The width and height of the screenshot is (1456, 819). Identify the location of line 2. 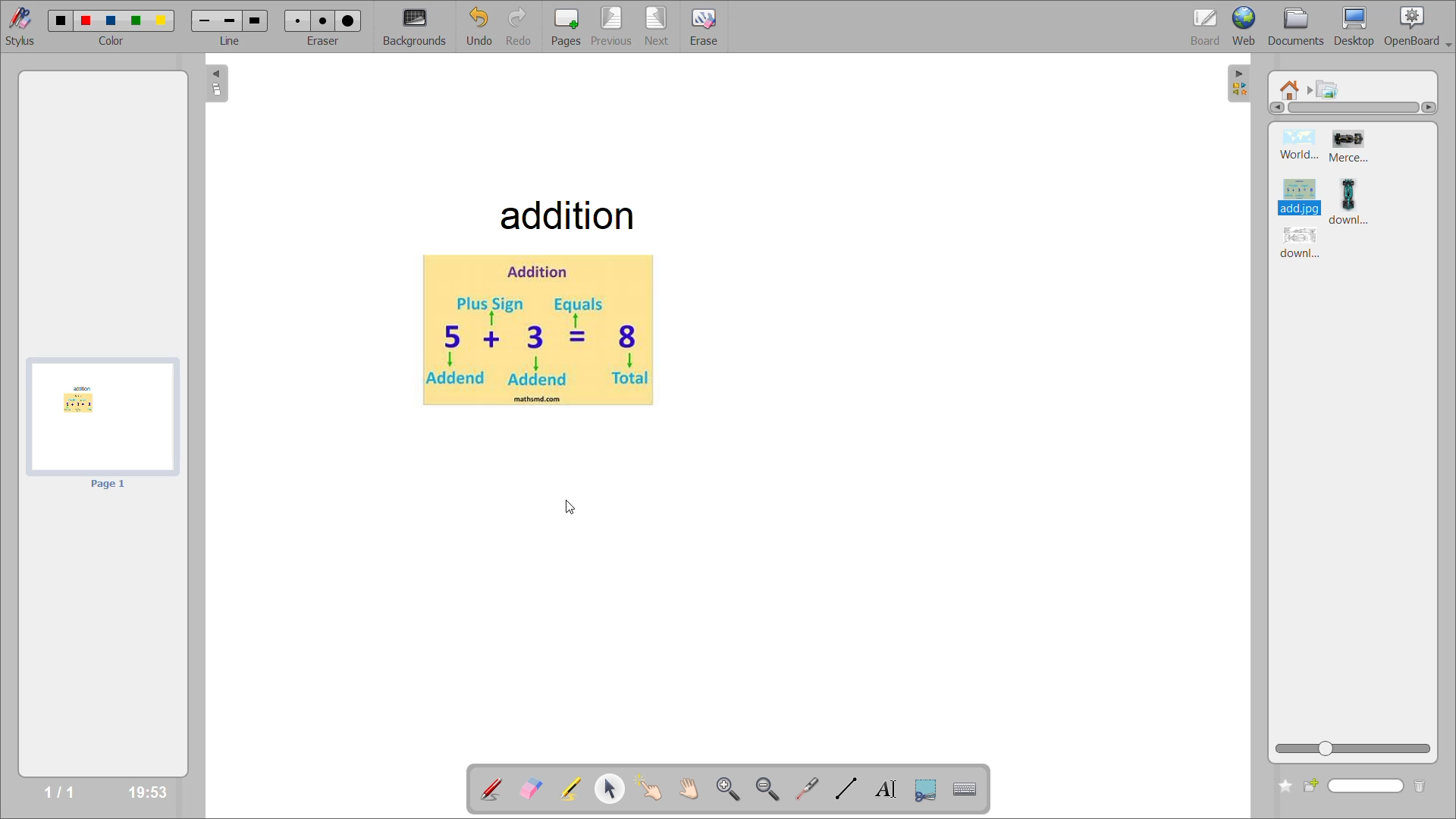
(230, 23).